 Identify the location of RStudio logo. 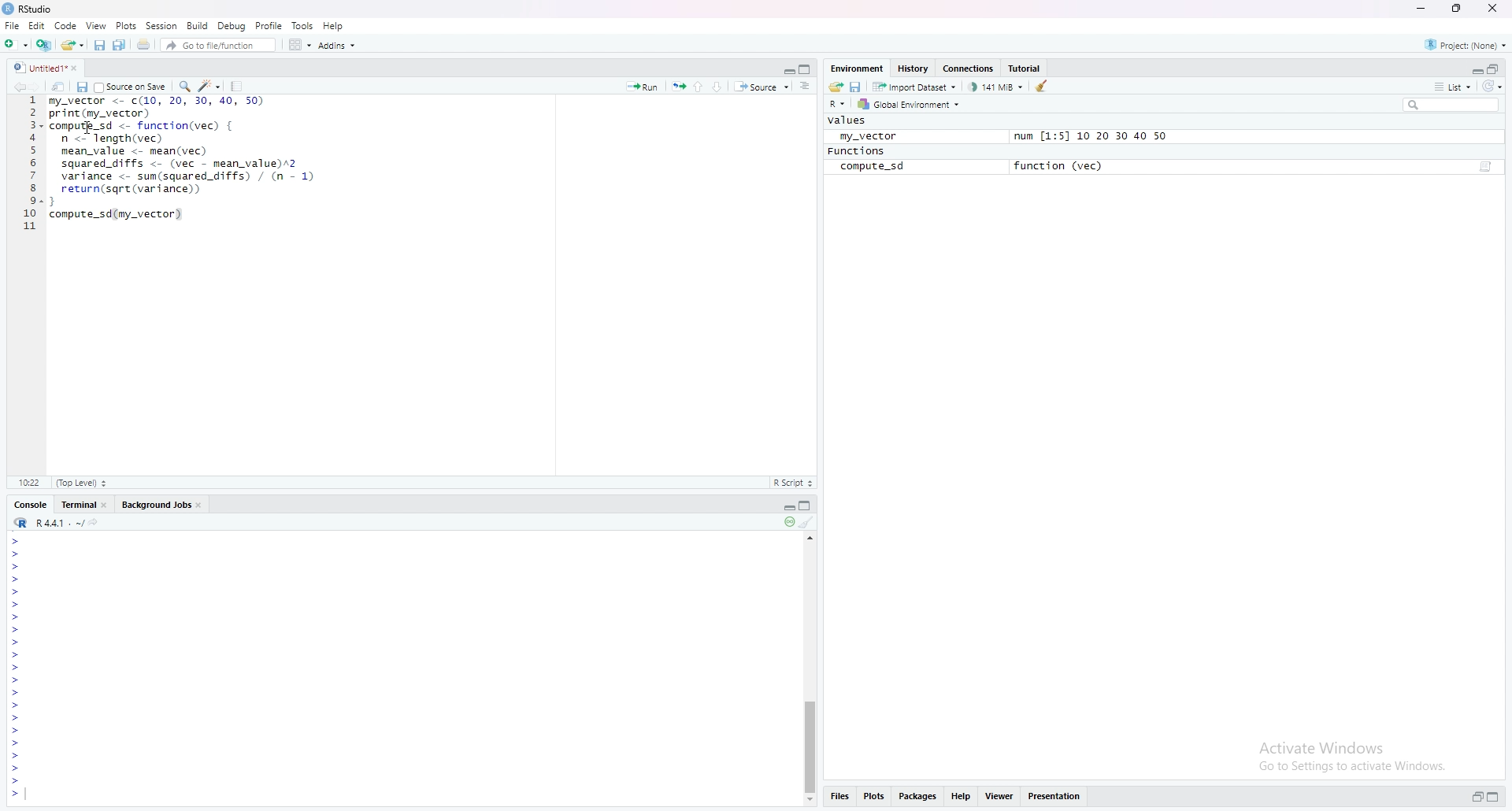
(20, 523).